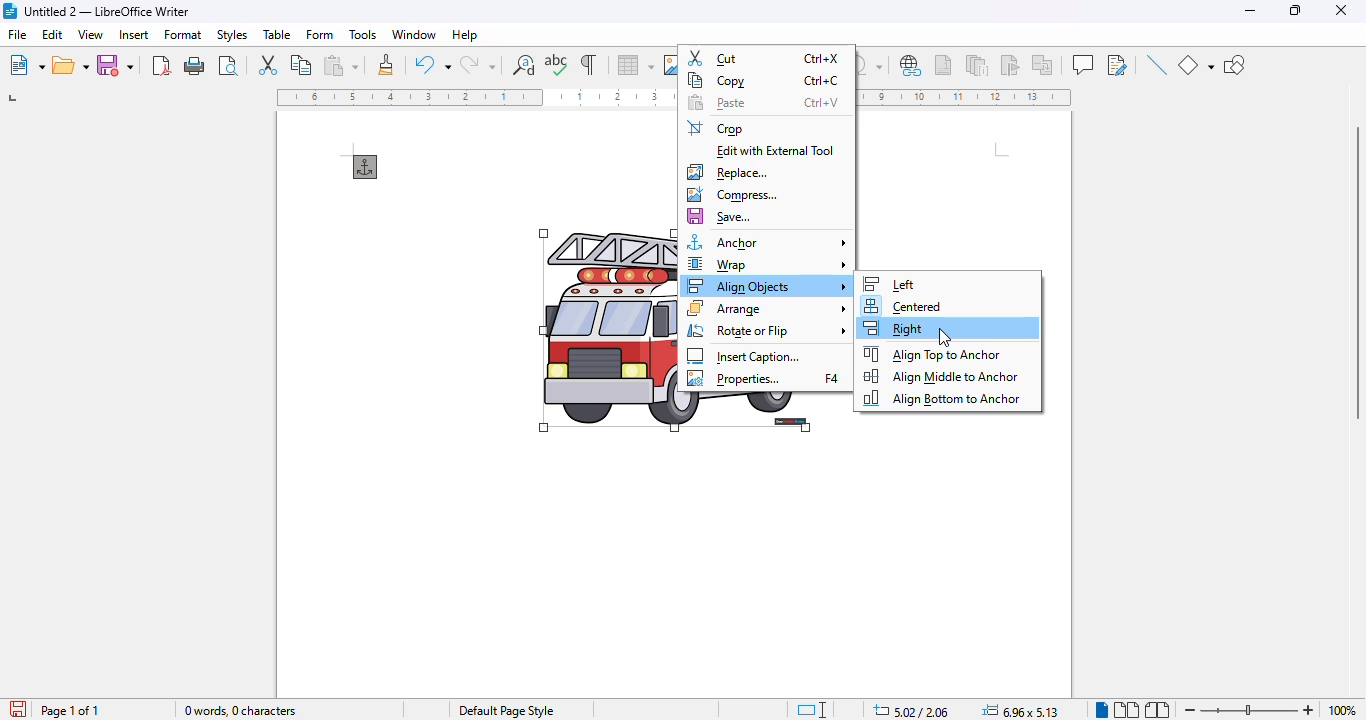 Image resolution: width=1366 pixels, height=720 pixels. What do you see at coordinates (232, 35) in the screenshot?
I see `styles` at bounding box center [232, 35].